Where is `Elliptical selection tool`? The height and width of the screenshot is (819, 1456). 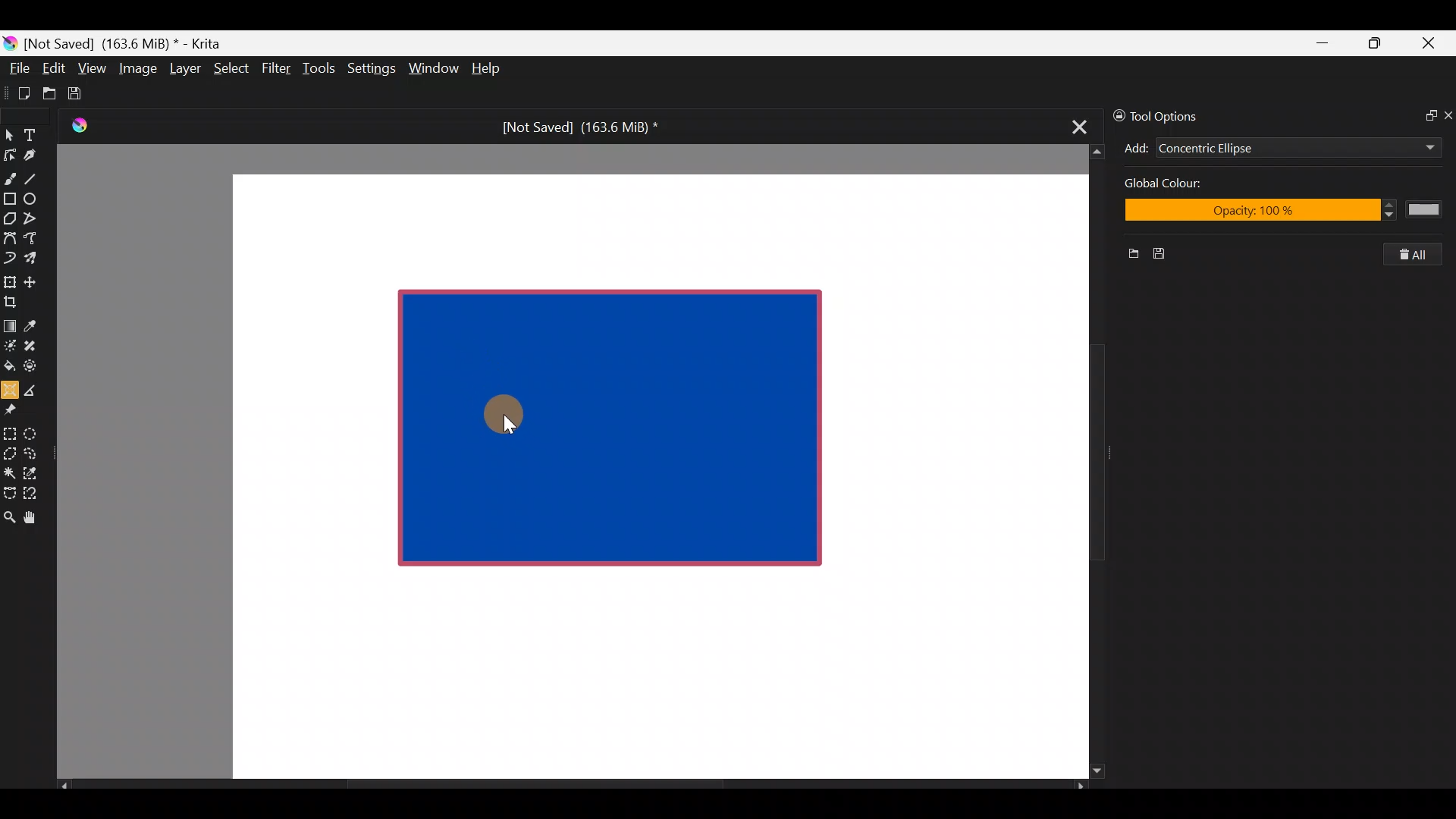 Elliptical selection tool is located at coordinates (36, 431).